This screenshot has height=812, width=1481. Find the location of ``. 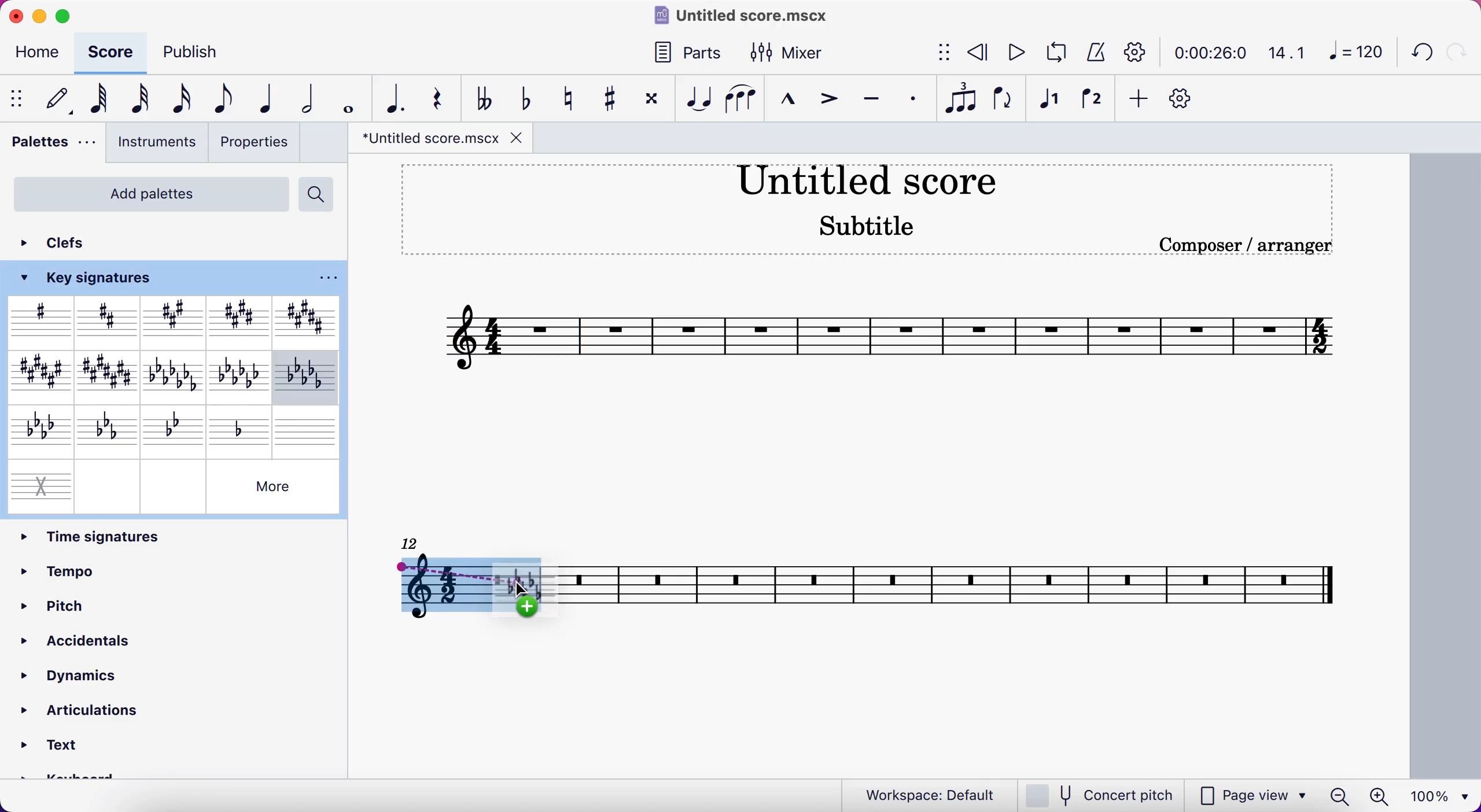

 is located at coordinates (274, 486).